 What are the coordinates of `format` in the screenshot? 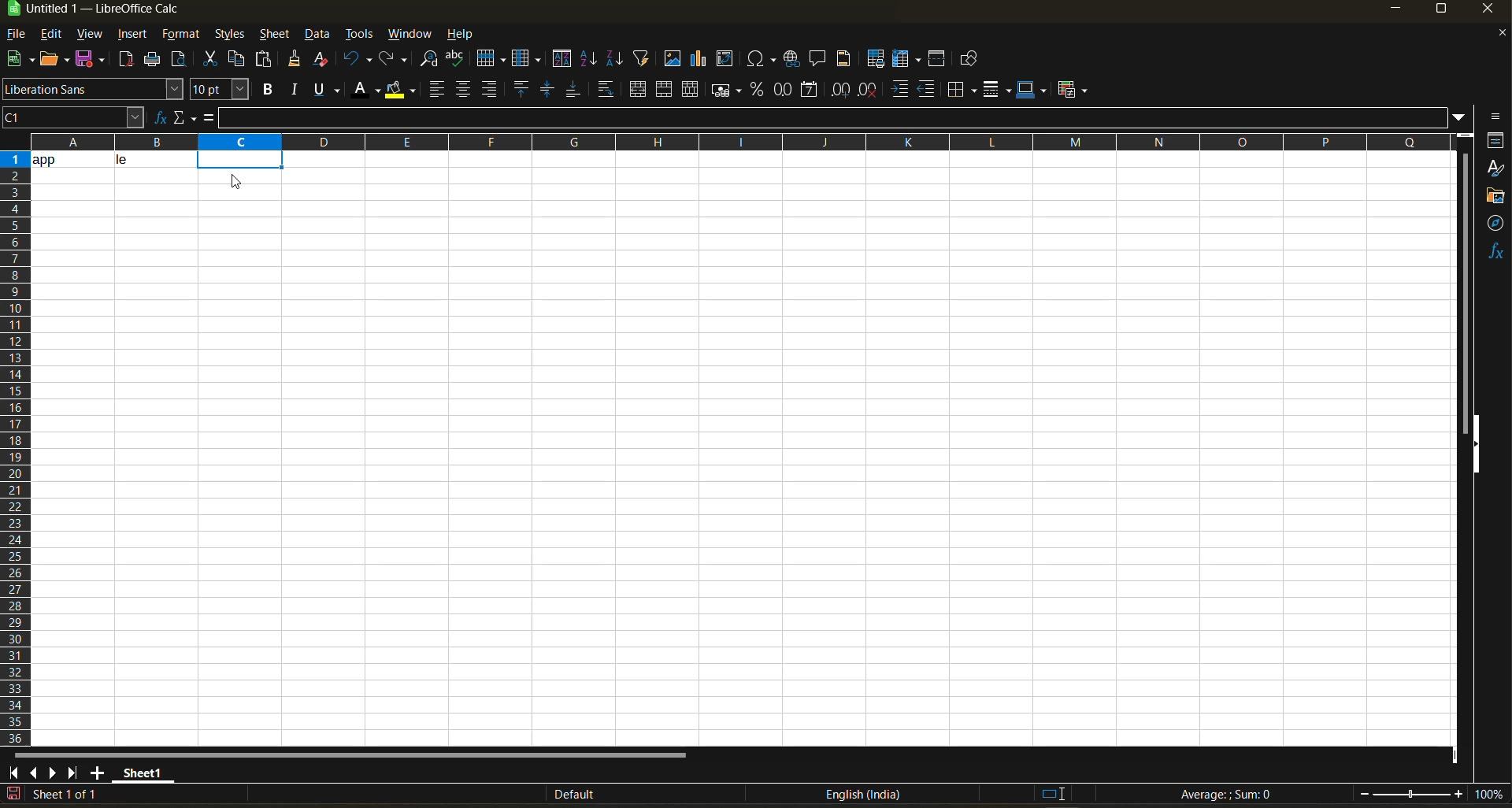 It's located at (182, 36).